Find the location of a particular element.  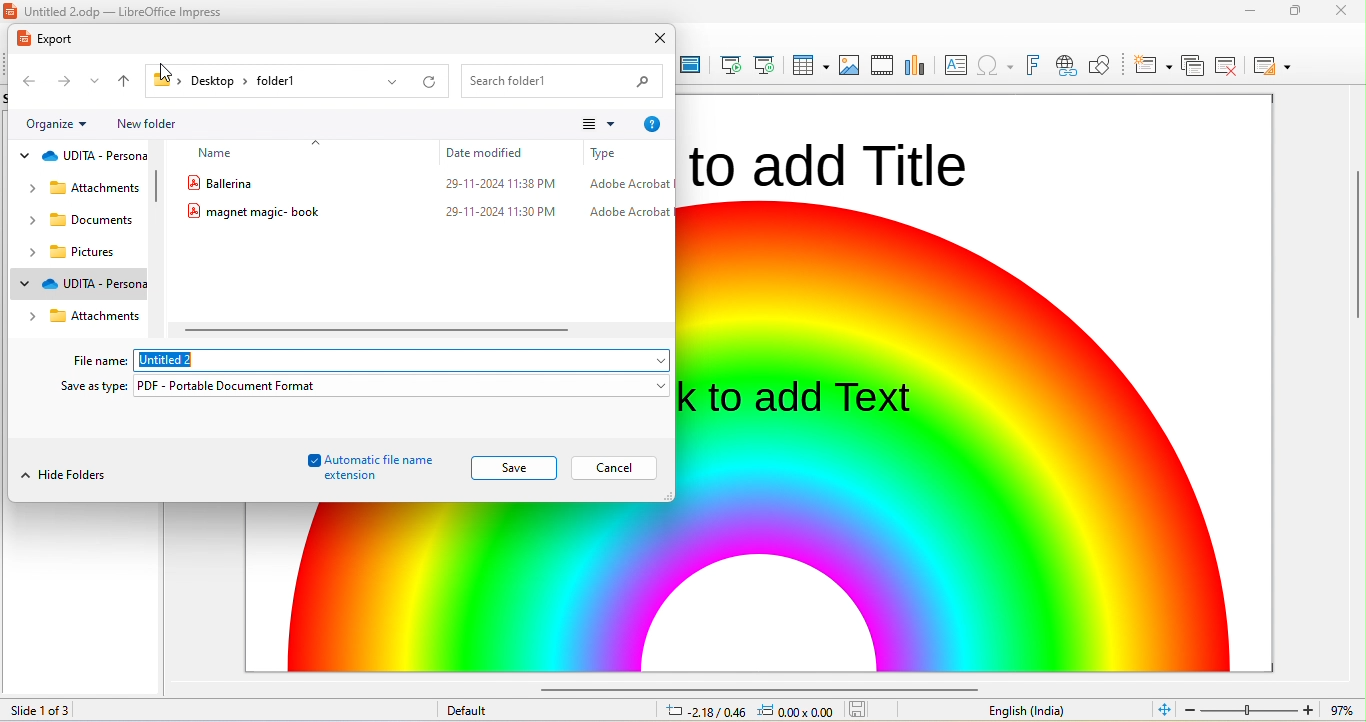

master slide is located at coordinates (690, 65).